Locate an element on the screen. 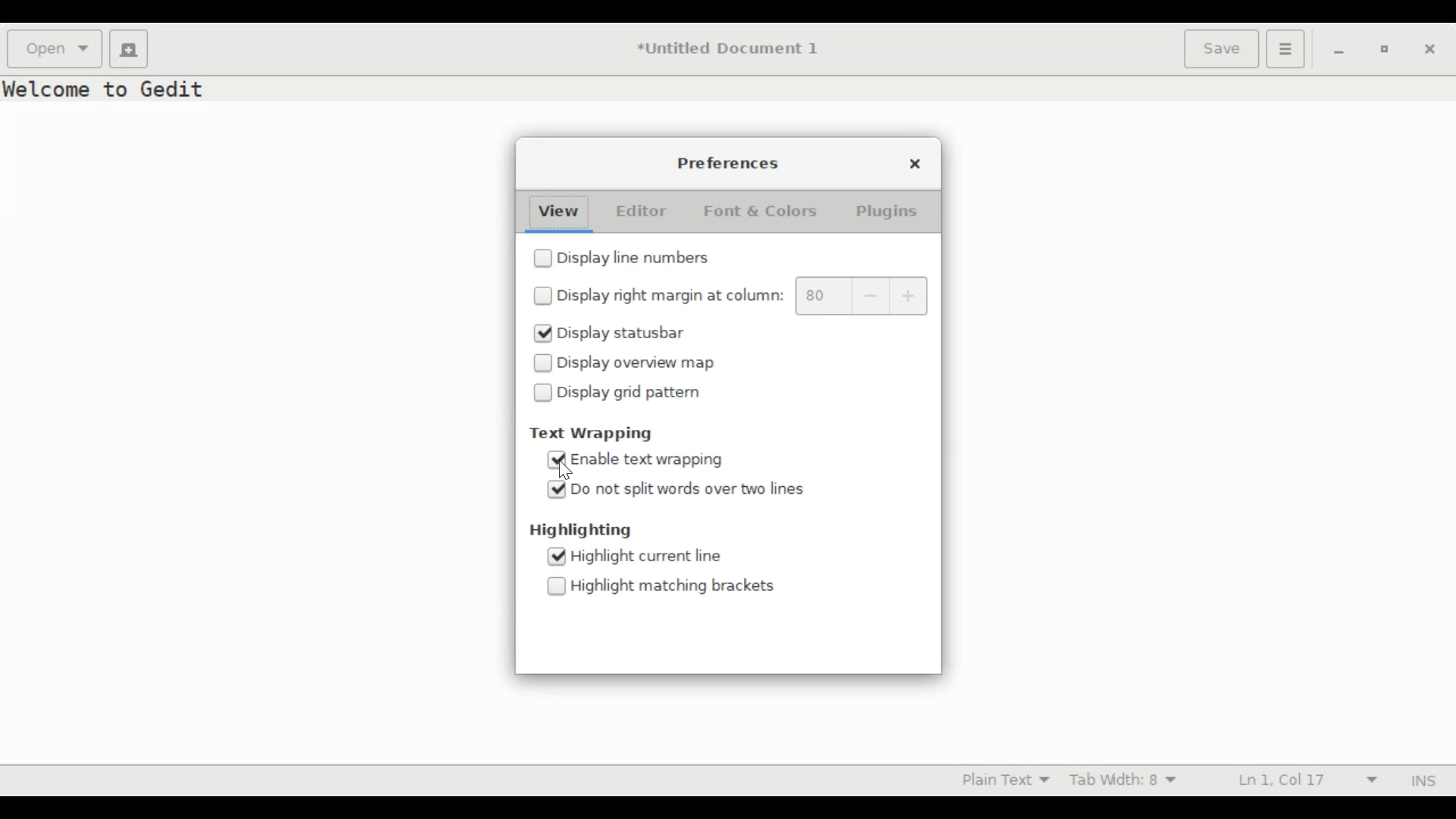 This screenshot has height=819, width=1456. checked checkbox is located at coordinates (542, 333).